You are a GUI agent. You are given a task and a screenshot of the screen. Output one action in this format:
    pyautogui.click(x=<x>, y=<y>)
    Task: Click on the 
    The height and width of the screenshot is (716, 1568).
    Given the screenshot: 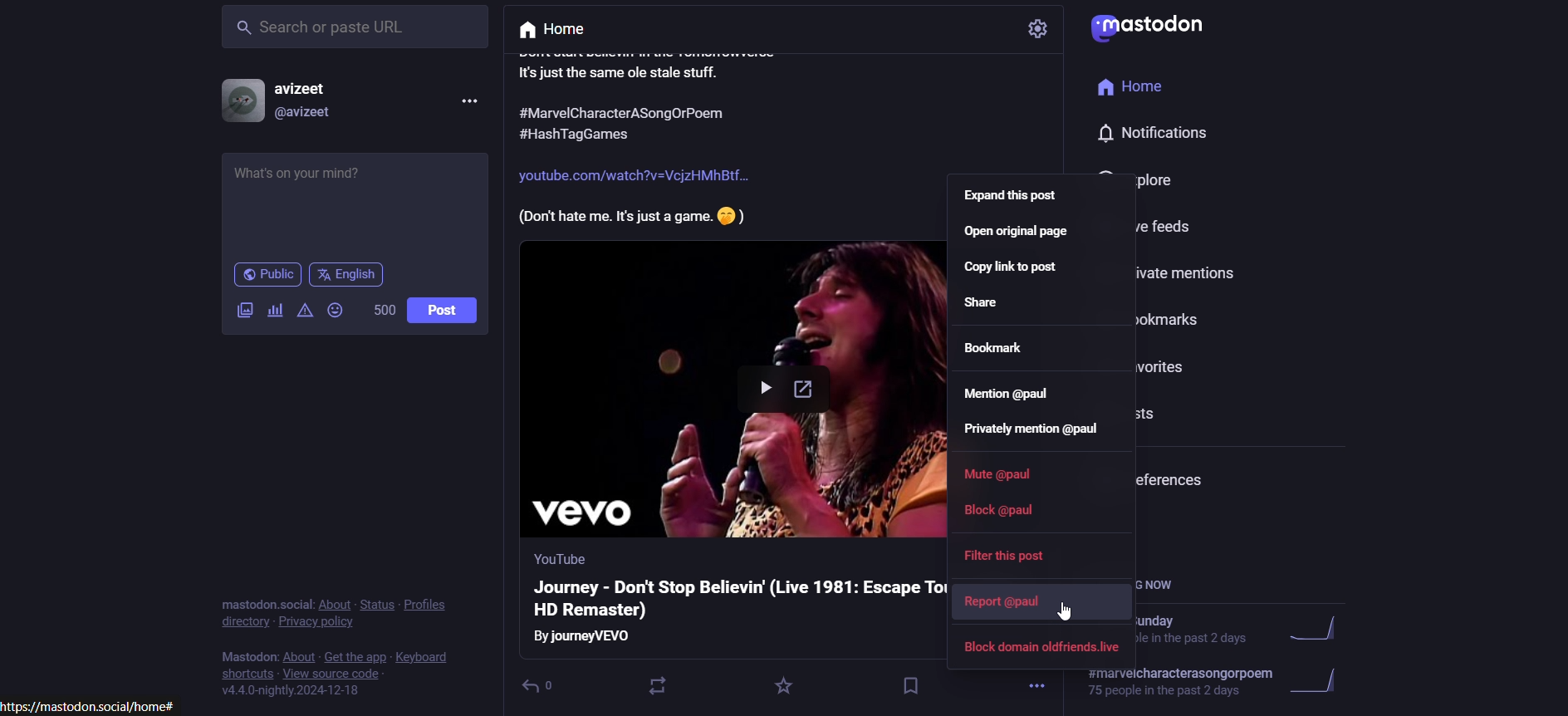 What is the action you would take?
    pyautogui.click(x=625, y=114)
    